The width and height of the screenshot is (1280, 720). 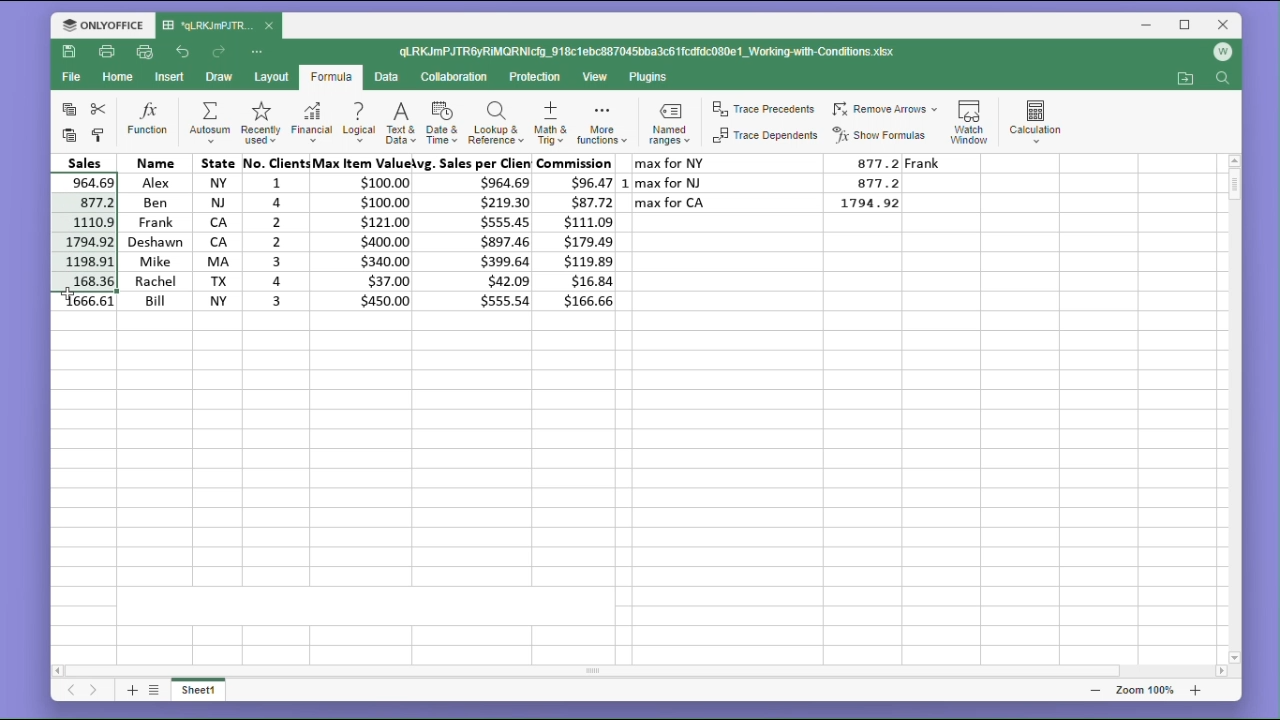 What do you see at coordinates (642, 671) in the screenshot?
I see `horizontal scroll bar` at bounding box center [642, 671].